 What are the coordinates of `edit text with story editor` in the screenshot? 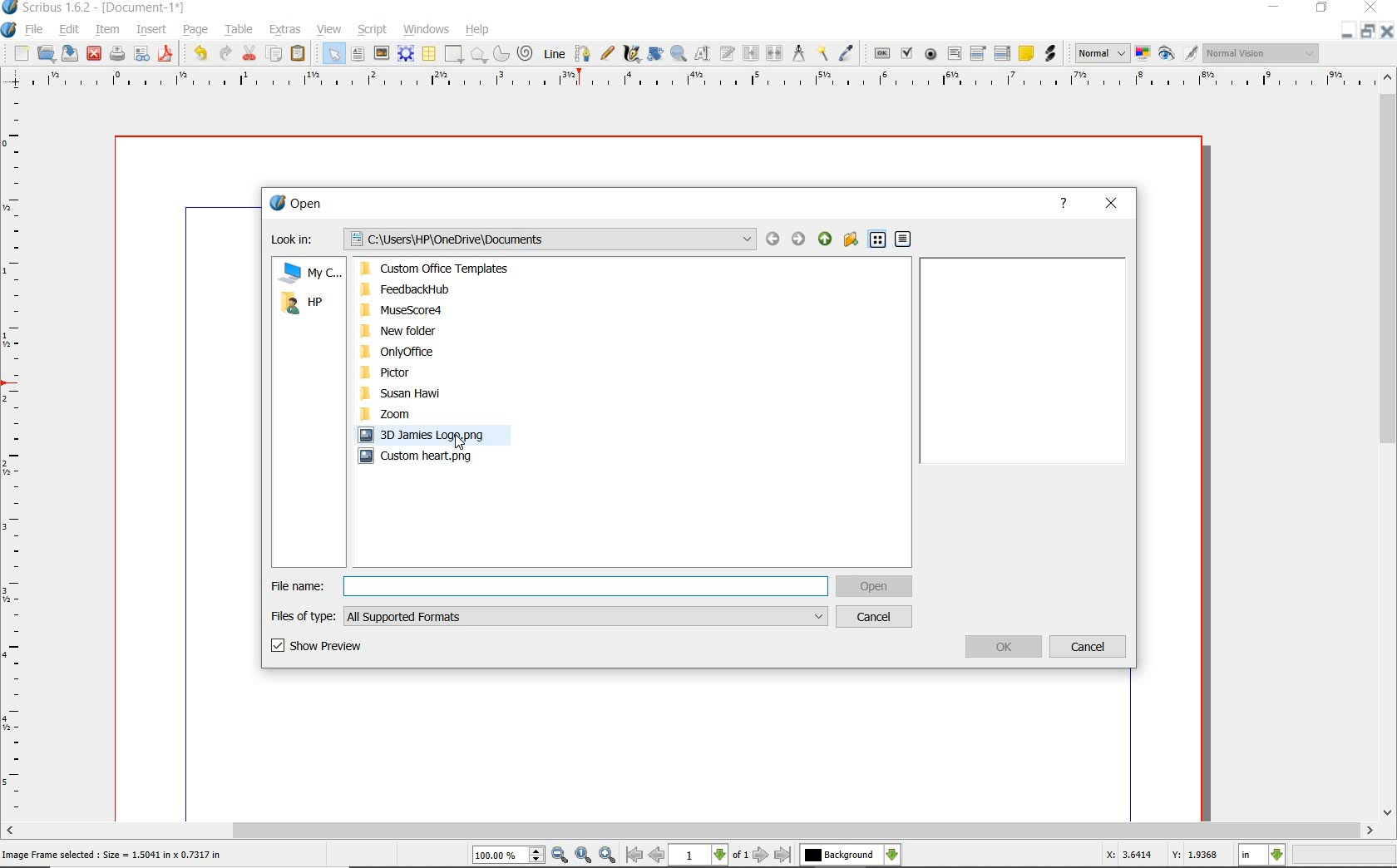 It's located at (728, 52).